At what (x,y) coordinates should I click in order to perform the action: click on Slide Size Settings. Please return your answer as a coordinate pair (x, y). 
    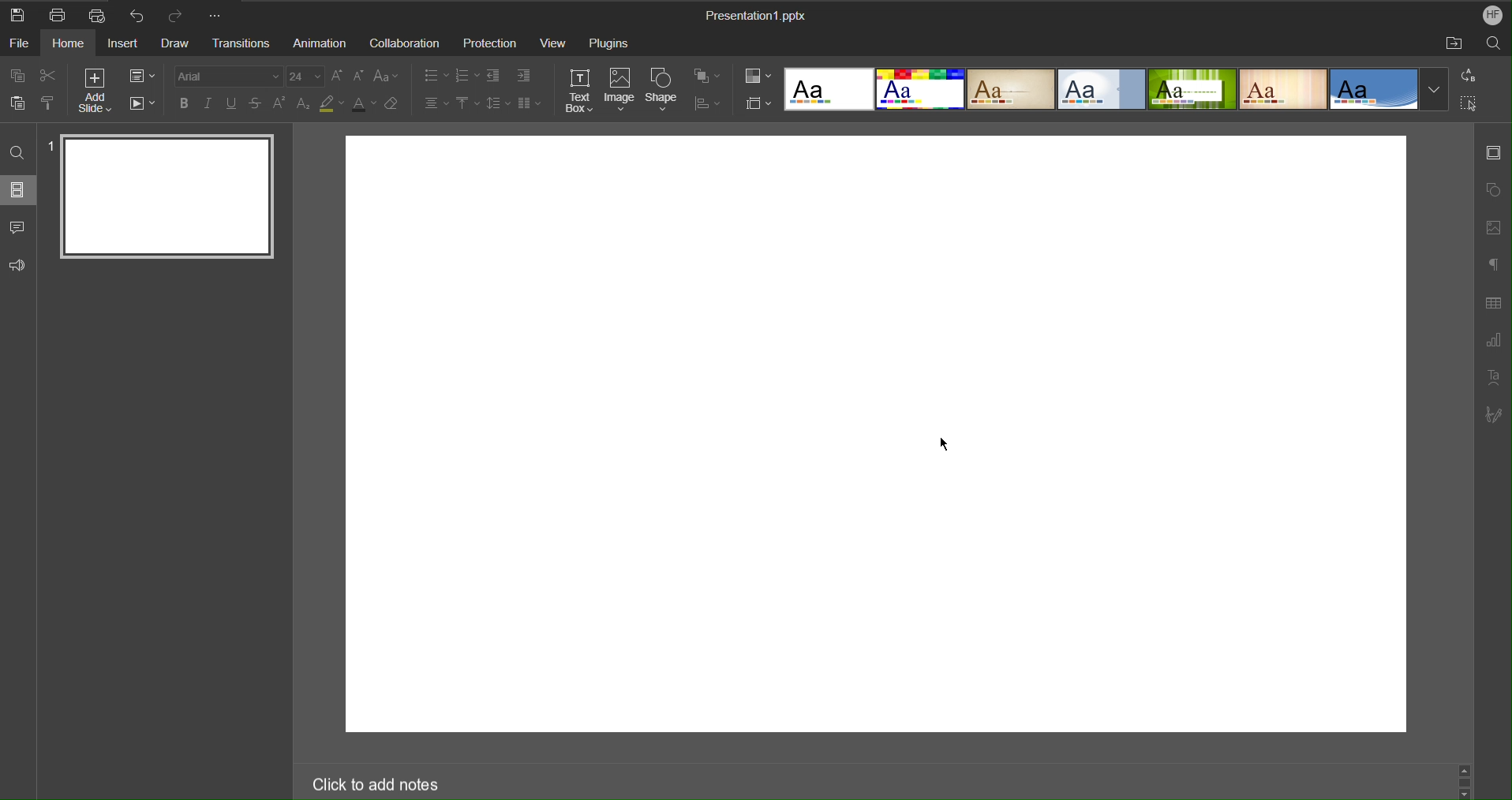
    Looking at the image, I should click on (758, 103).